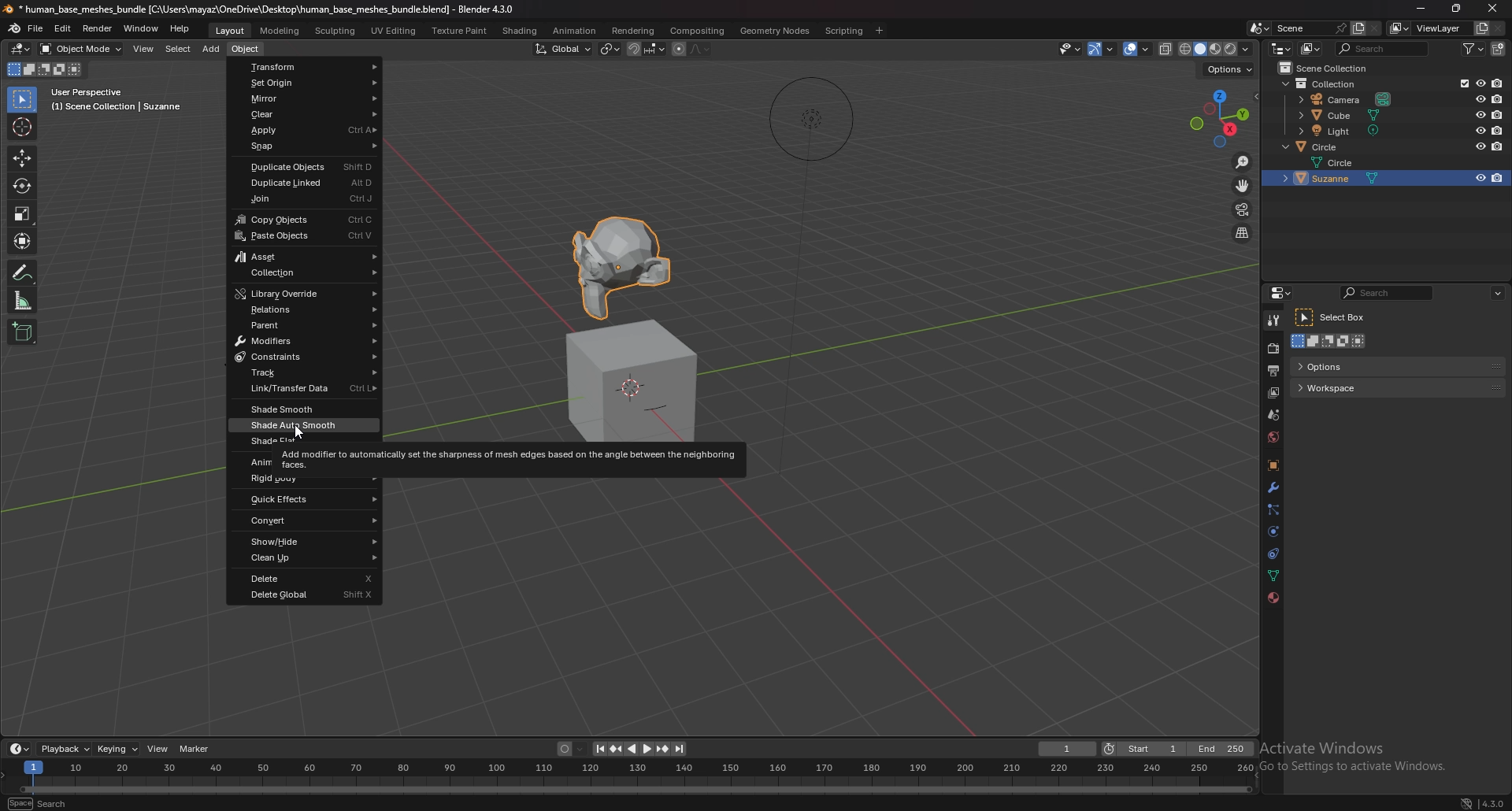  I want to click on delete, so click(304, 578).